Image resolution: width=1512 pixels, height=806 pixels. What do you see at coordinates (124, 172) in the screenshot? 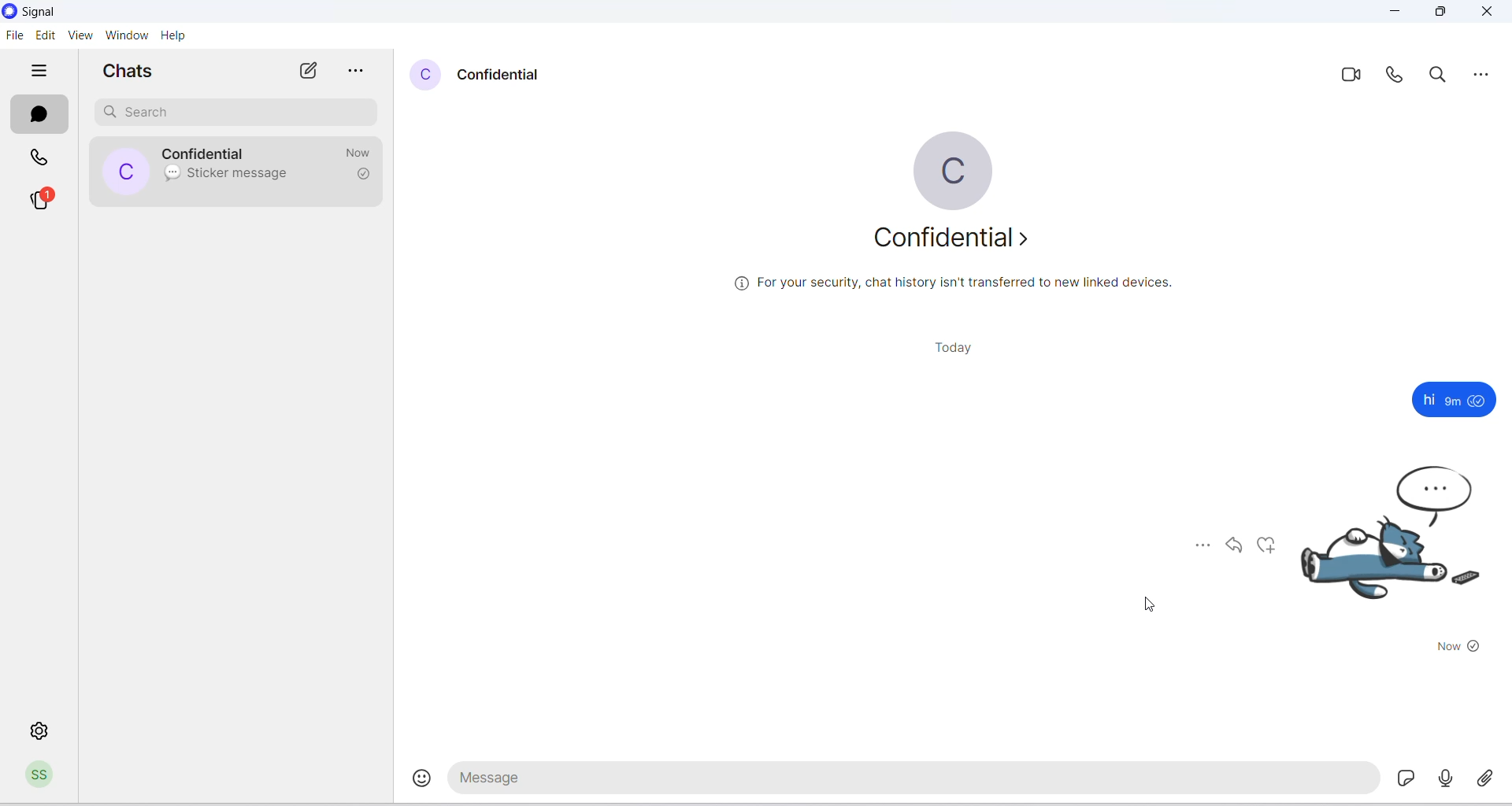
I see `profile picture` at bounding box center [124, 172].